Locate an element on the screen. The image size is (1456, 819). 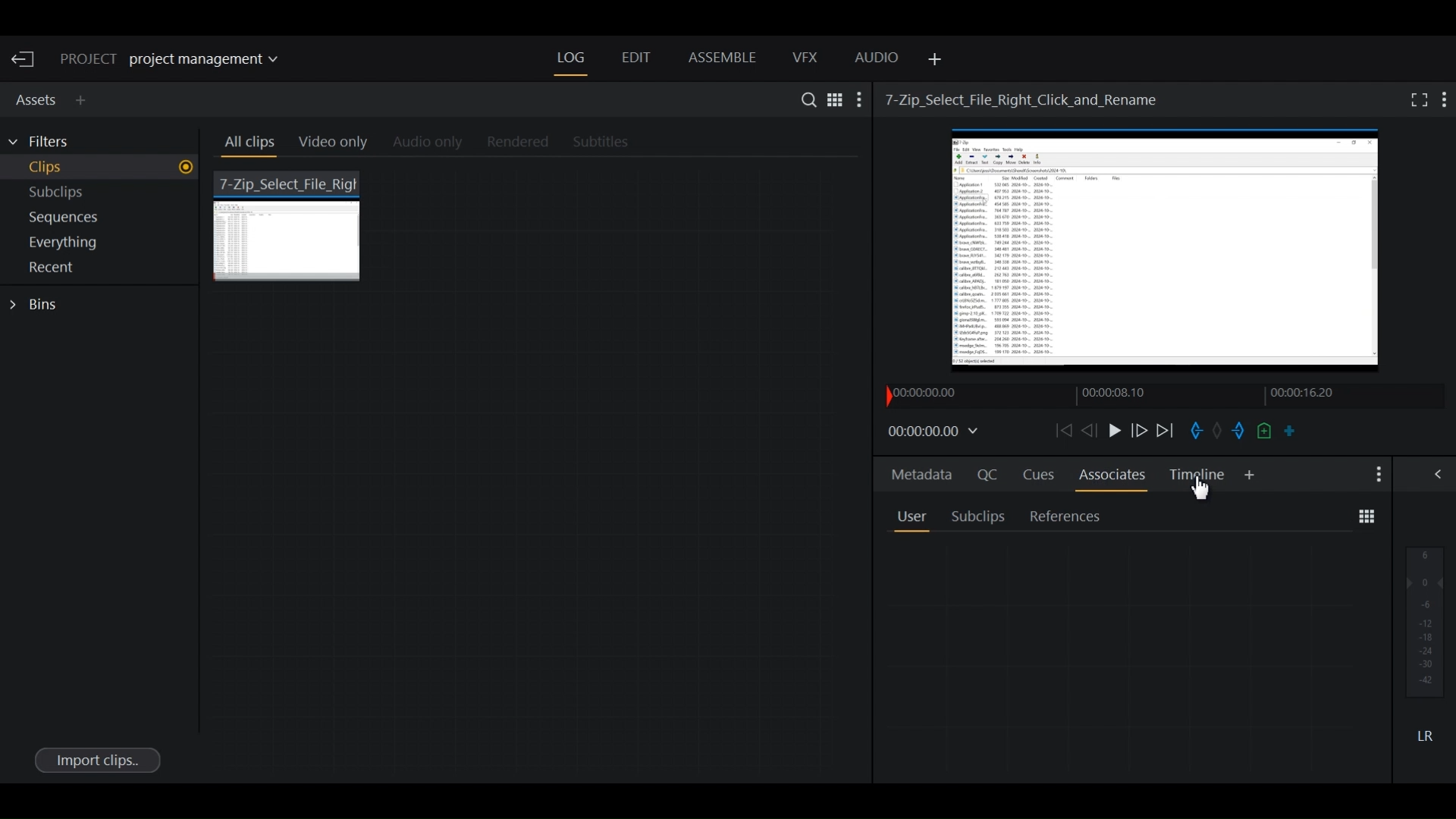
Task is located at coordinates (1218, 428).